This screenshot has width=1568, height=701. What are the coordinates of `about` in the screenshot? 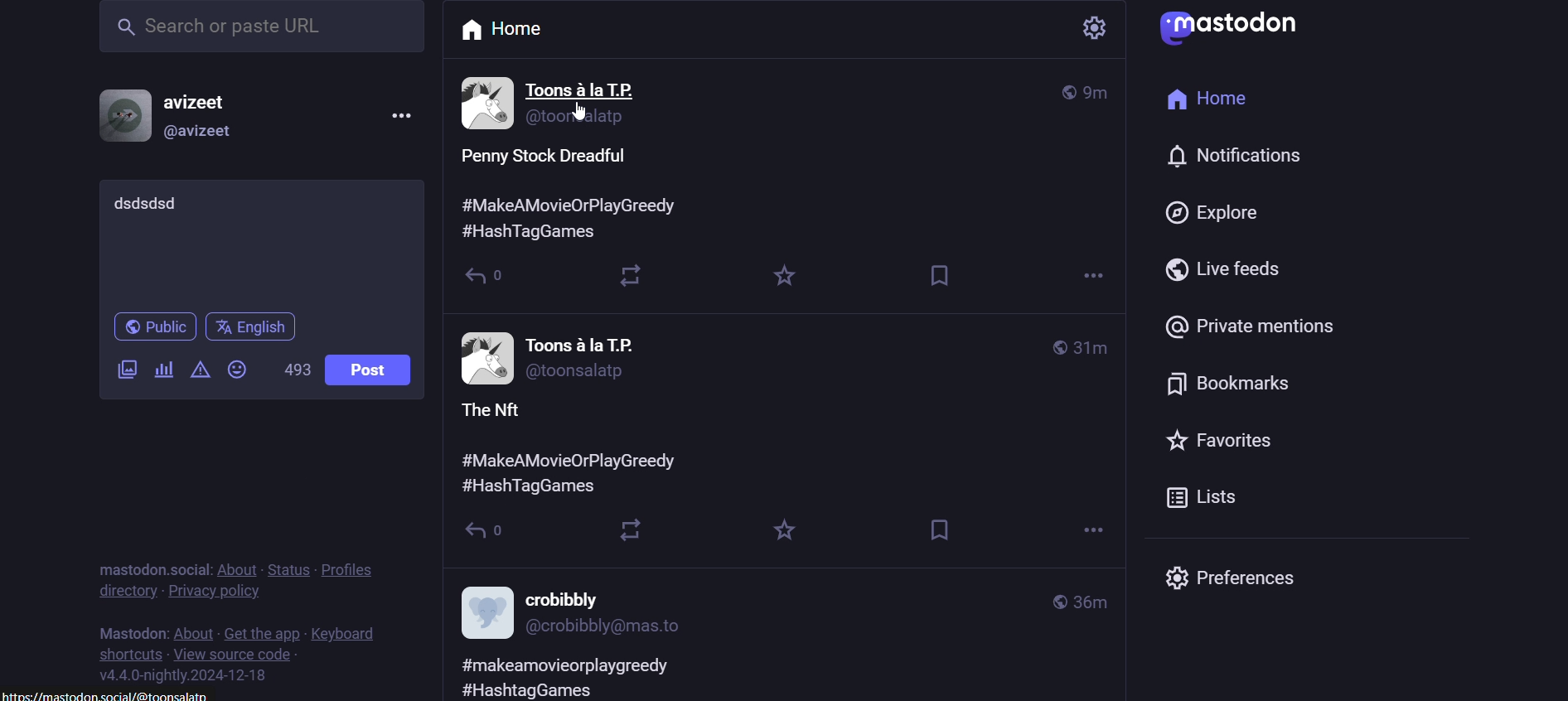 It's located at (236, 563).